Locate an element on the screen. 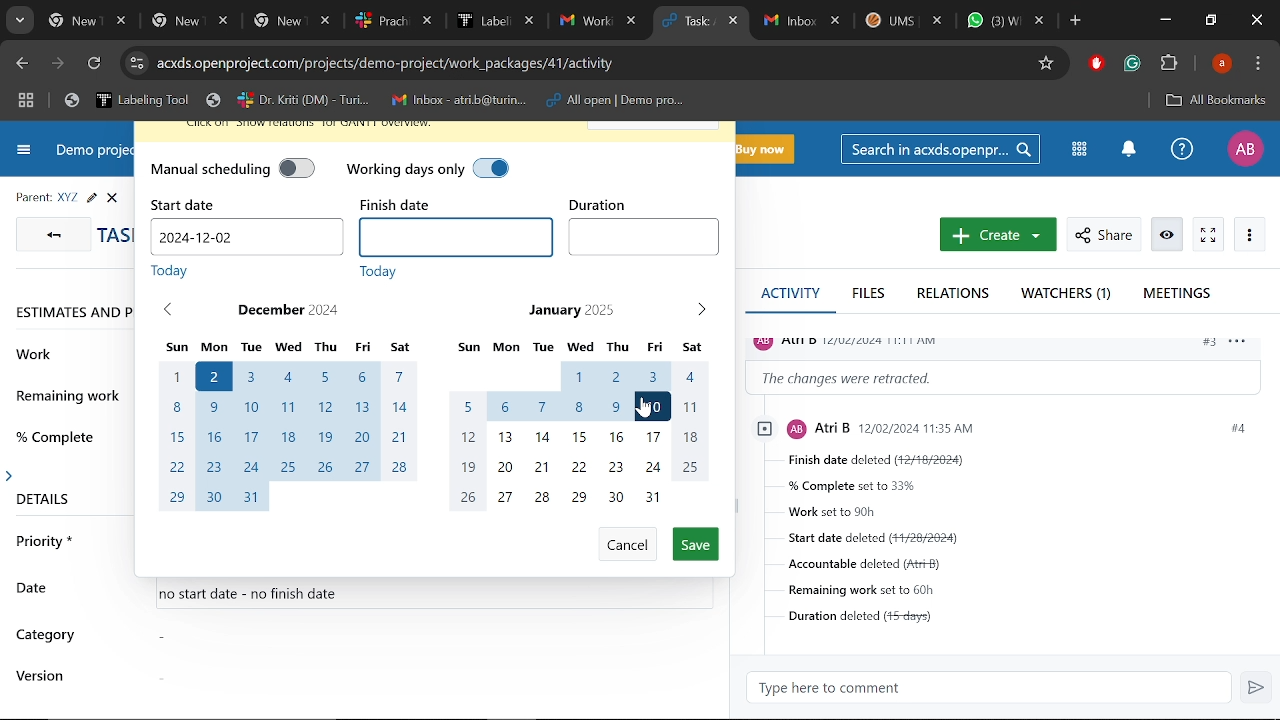 This screenshot has height=720, width=1280. #3 is located at coordinates (1208, 344).